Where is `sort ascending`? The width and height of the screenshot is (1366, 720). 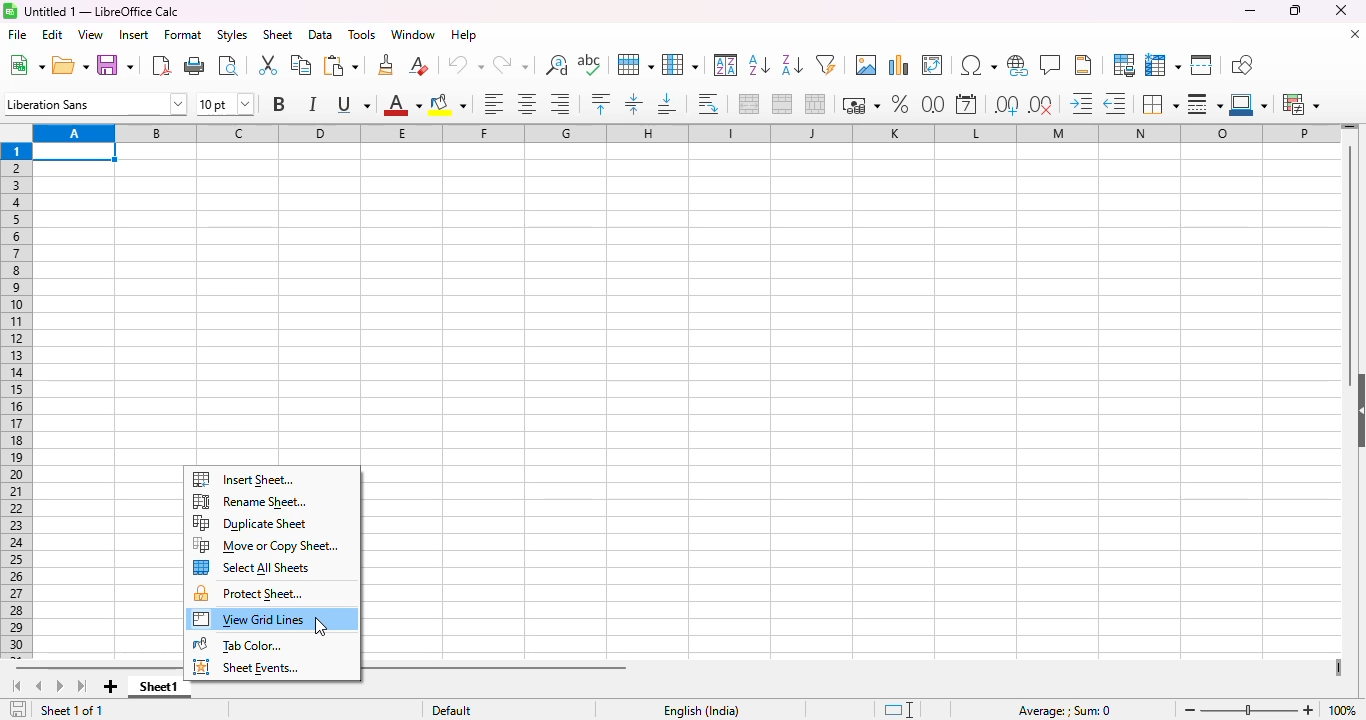
sort ascending is located at coordinates (759, 65).